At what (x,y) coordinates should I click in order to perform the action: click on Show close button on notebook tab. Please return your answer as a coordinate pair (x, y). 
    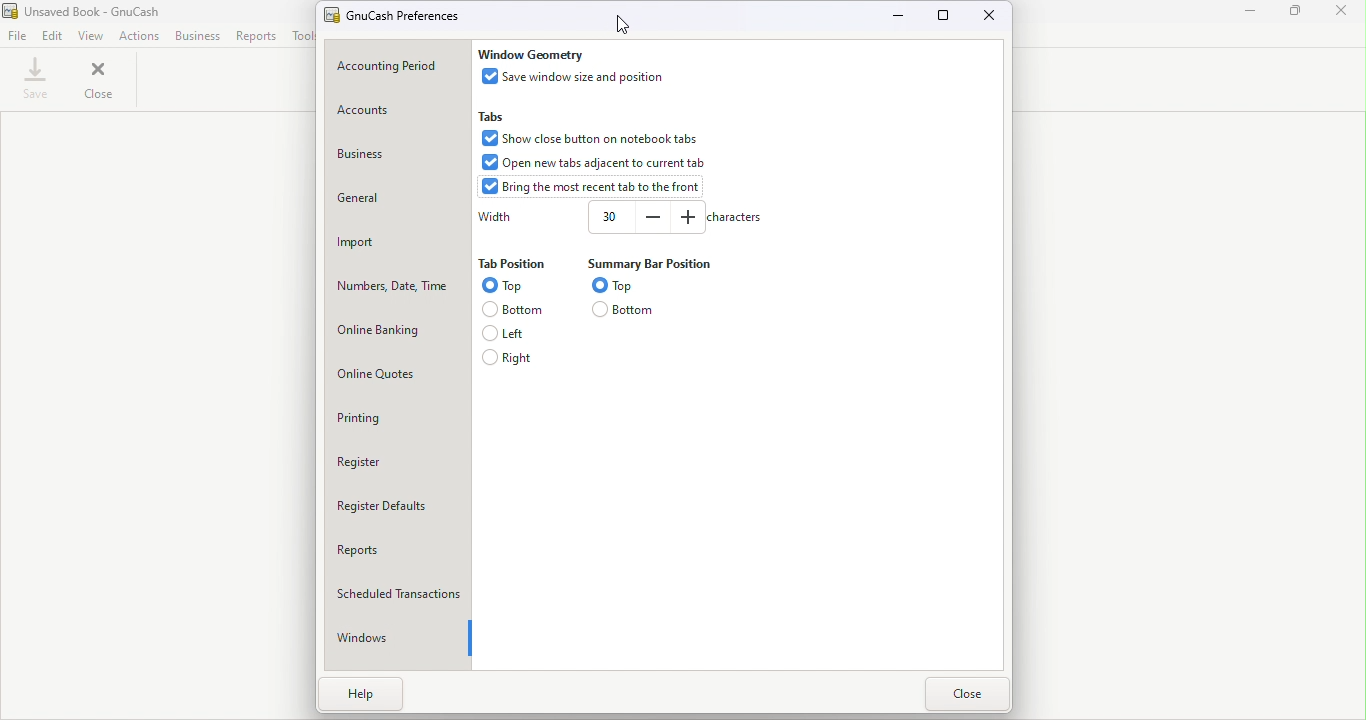
    Looking at the image, I should click on (587, 136).